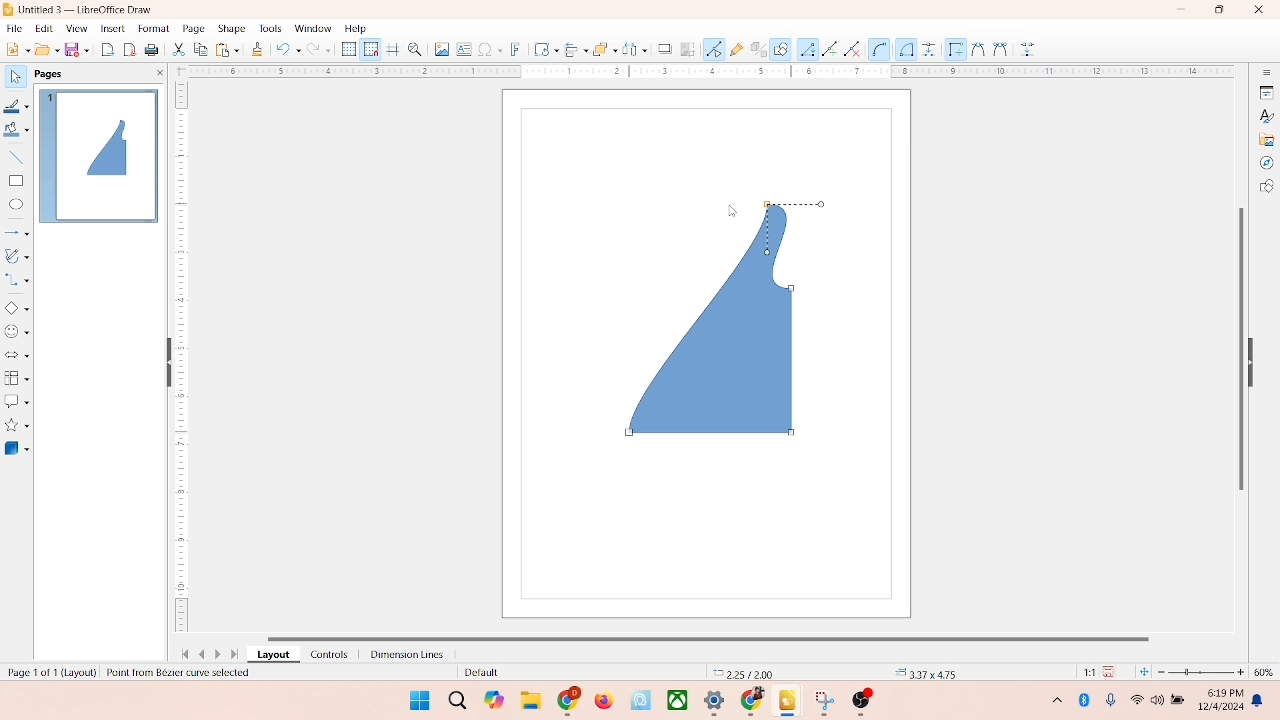 This screenshot has height=720, width=1280. Describe the element at coordinates (1267, 138) in the screenshot. I see `gallery` at that location.